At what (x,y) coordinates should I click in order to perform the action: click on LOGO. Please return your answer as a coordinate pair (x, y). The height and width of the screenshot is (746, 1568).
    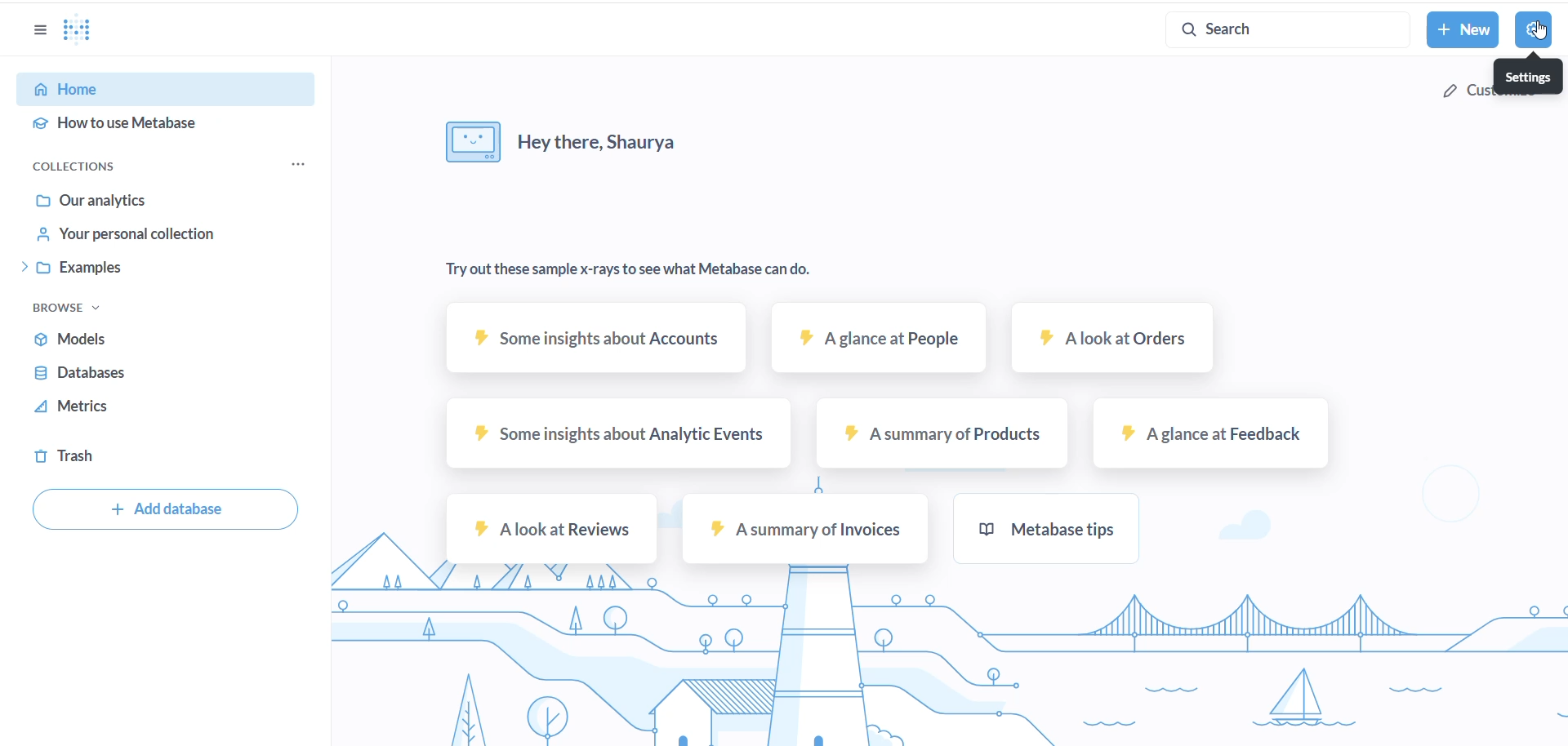
    Looking at the image, I should click on (82, 32).